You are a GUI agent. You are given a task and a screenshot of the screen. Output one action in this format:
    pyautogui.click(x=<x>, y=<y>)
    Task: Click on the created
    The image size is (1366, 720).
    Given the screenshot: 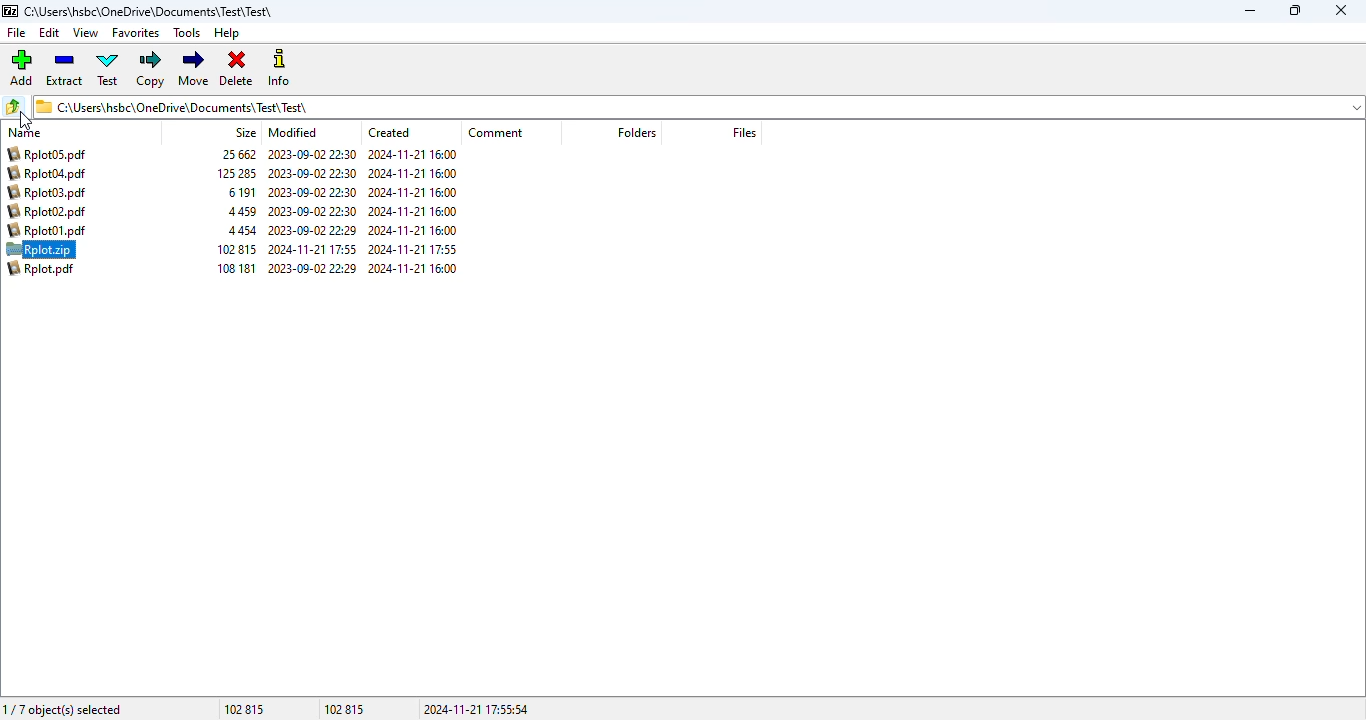 What is the action you would take?
    pyautogui.click(x=389, y=132)
    